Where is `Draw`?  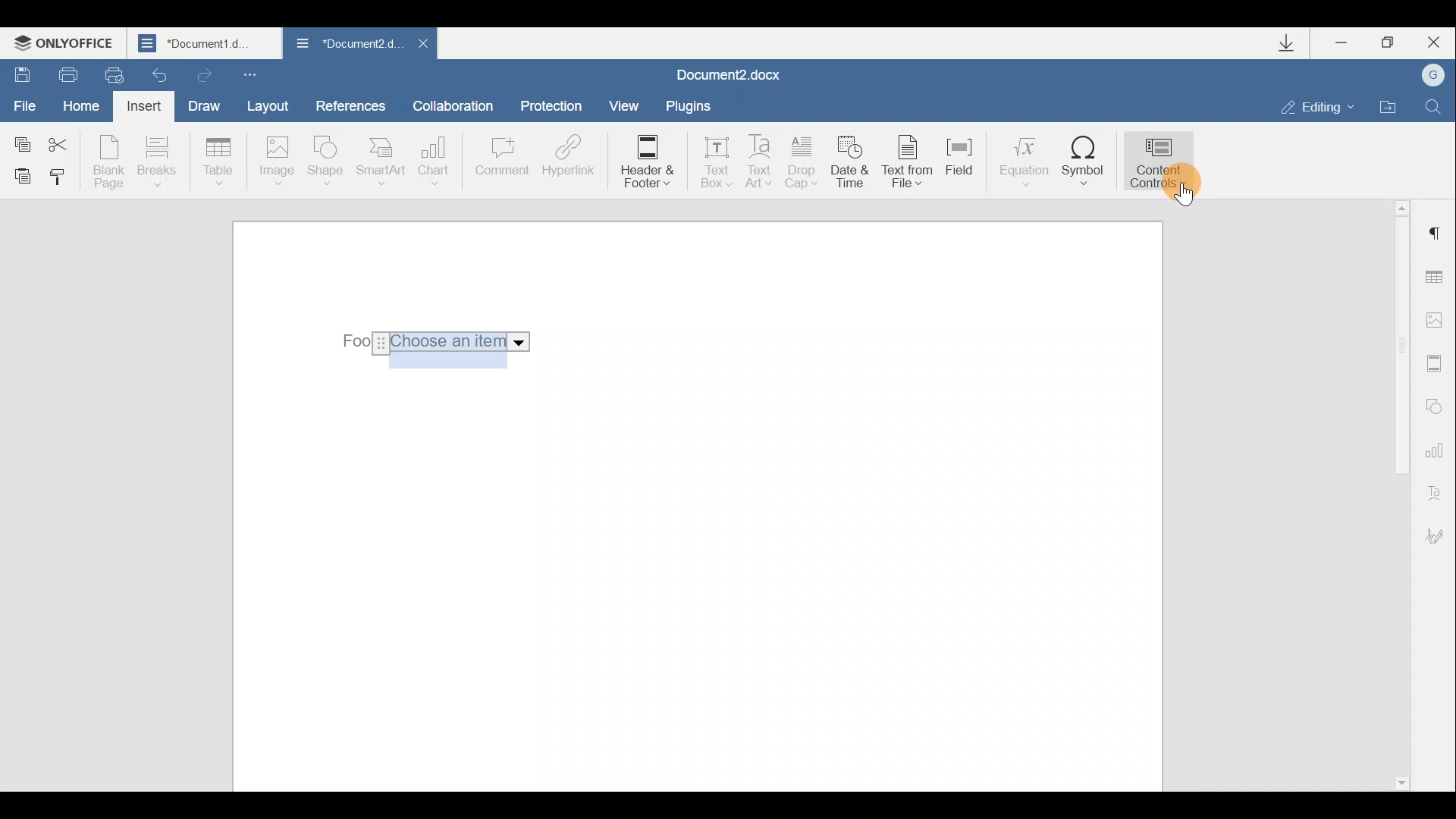 Draw is located at coordinates (202, 104).